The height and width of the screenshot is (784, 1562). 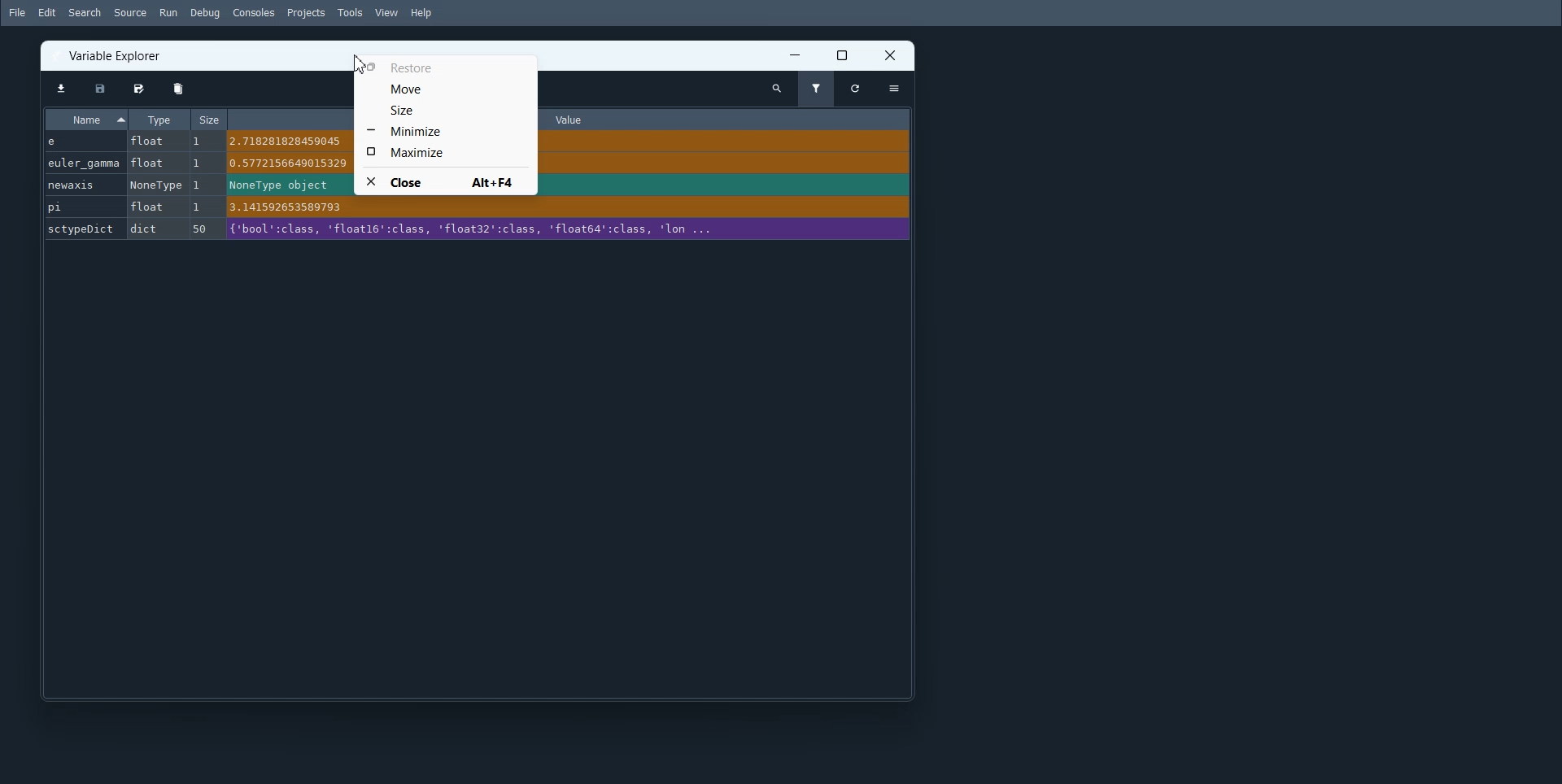 I want to click on dict, so click(x=147, y=228).